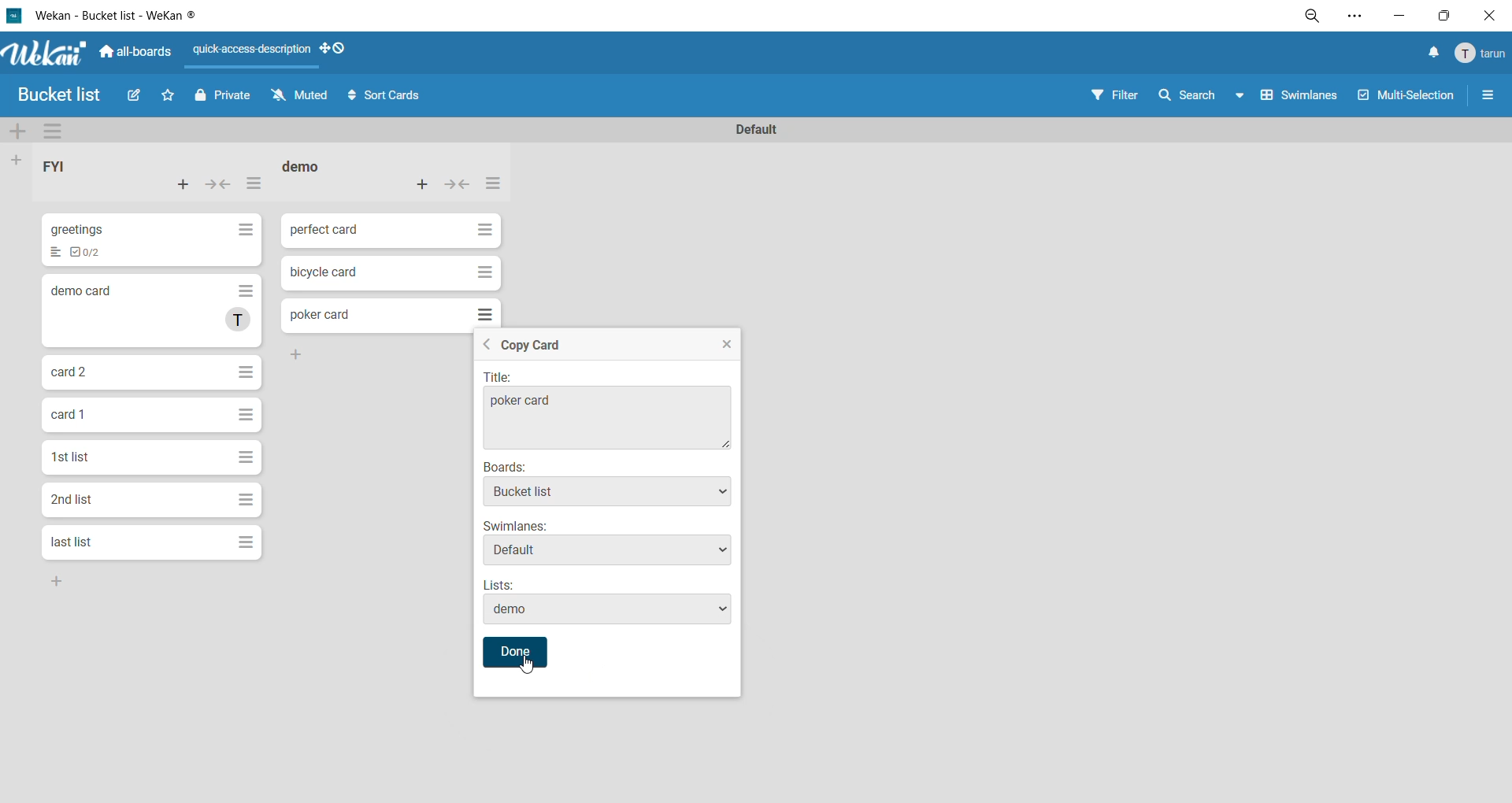  I want to click on Mouse Cursor, so click(528, 669).